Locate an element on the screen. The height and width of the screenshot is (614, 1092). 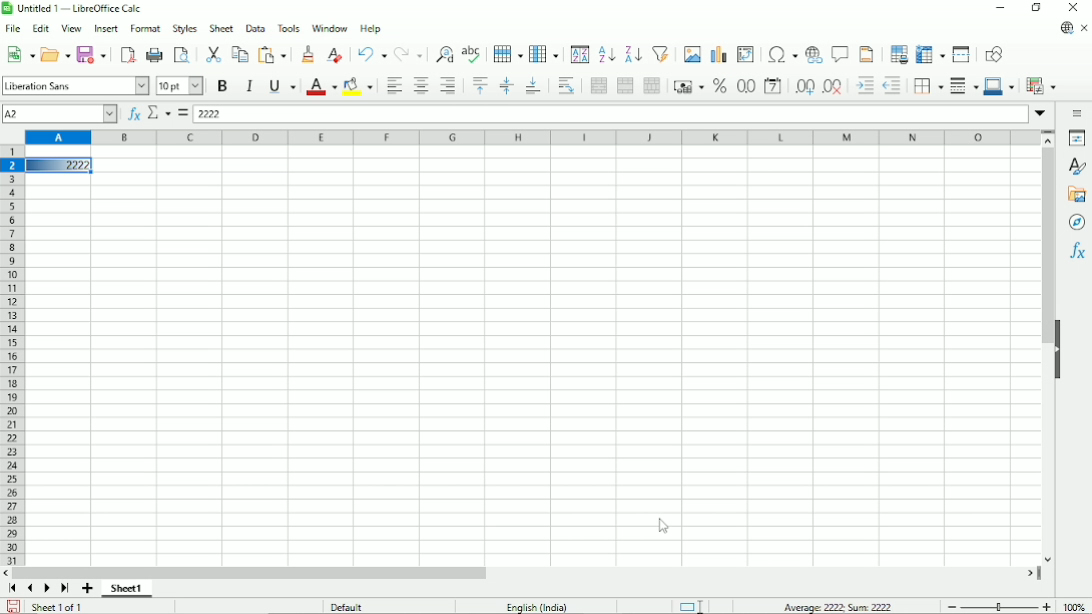
Borders is located at coordinates (926, 86).